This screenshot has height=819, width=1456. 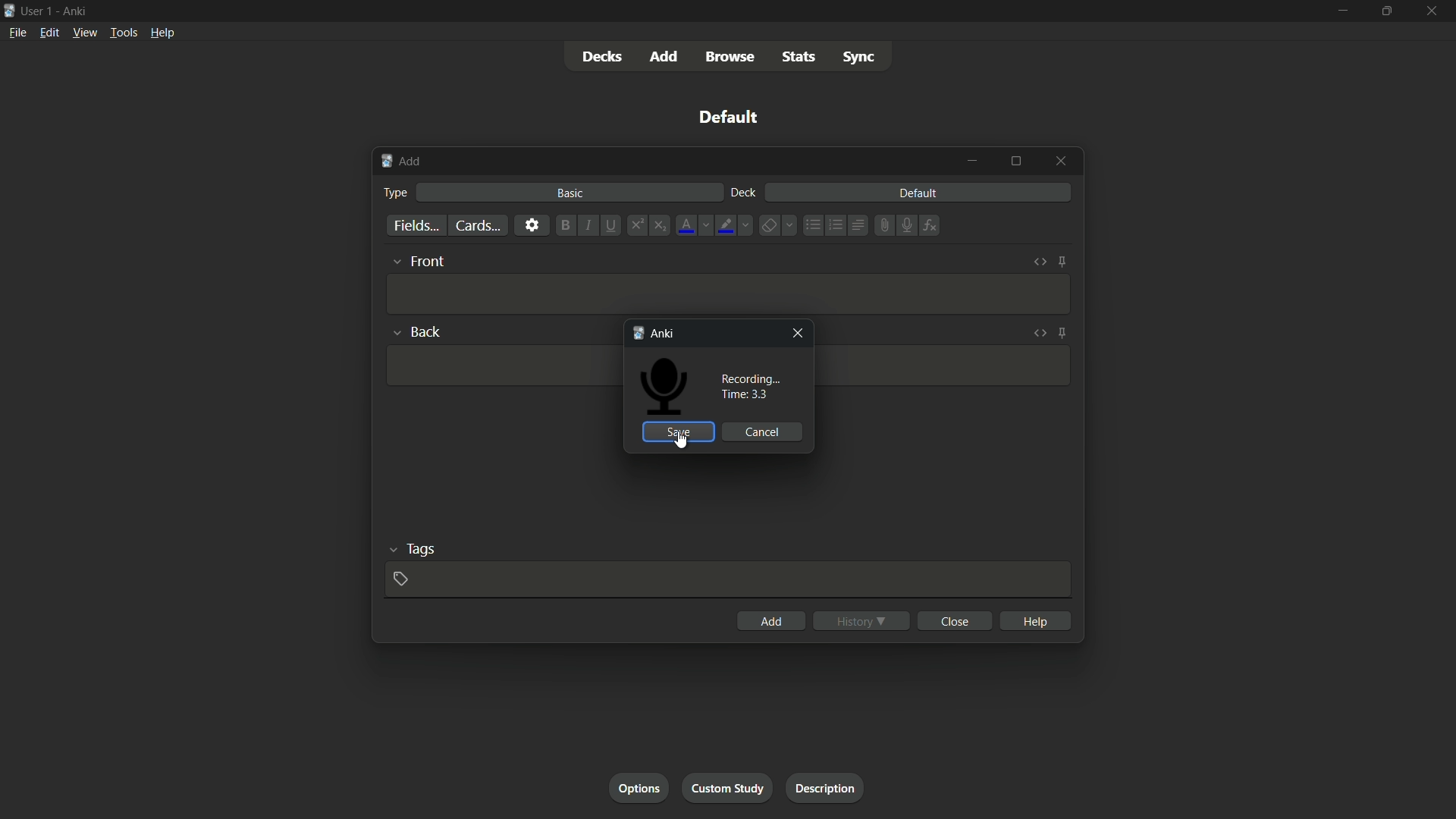 What do you see at coordinates (74, 11) in the screenshot?
I see `app name` at bounding box center [74, 11].